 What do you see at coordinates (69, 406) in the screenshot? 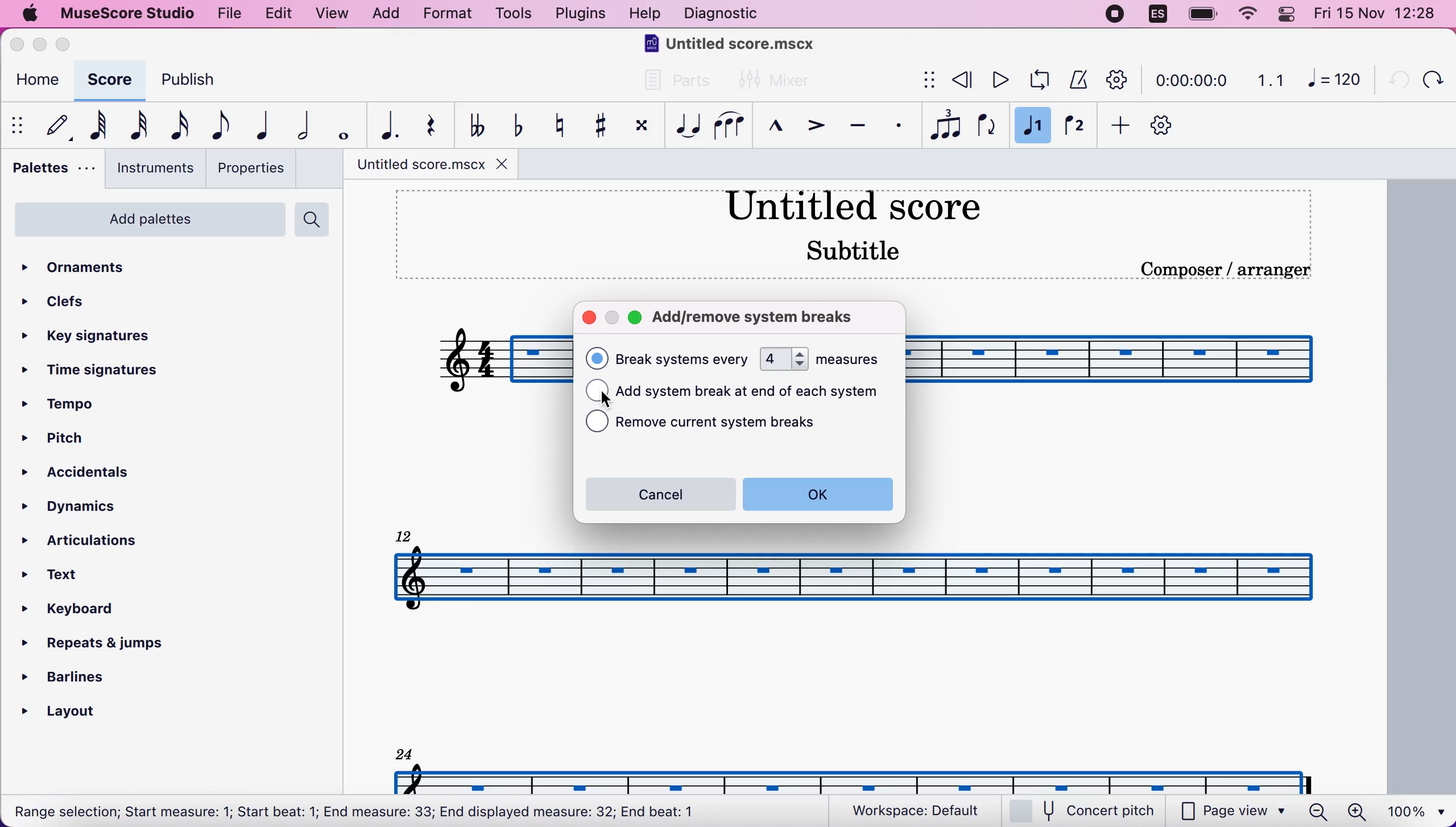
I see `tempo` at bounding box center [69, 406].